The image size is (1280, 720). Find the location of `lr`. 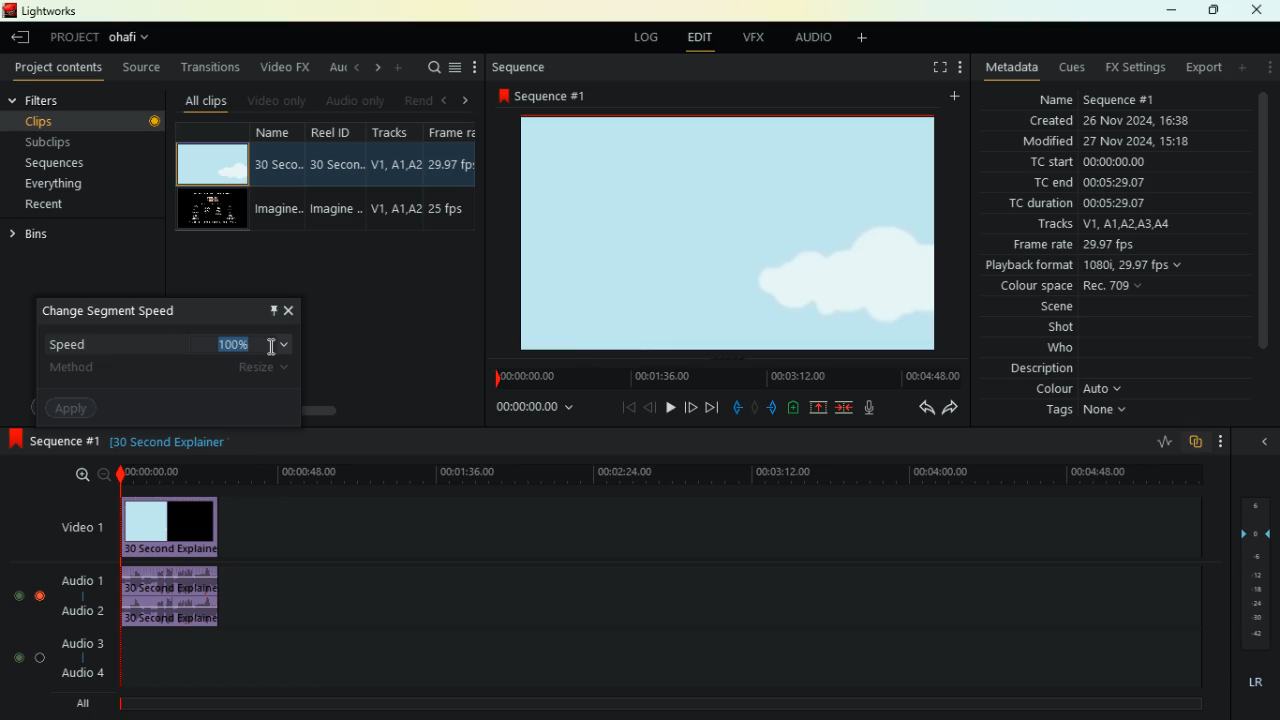

lr is located at coordinates (1251, 683).